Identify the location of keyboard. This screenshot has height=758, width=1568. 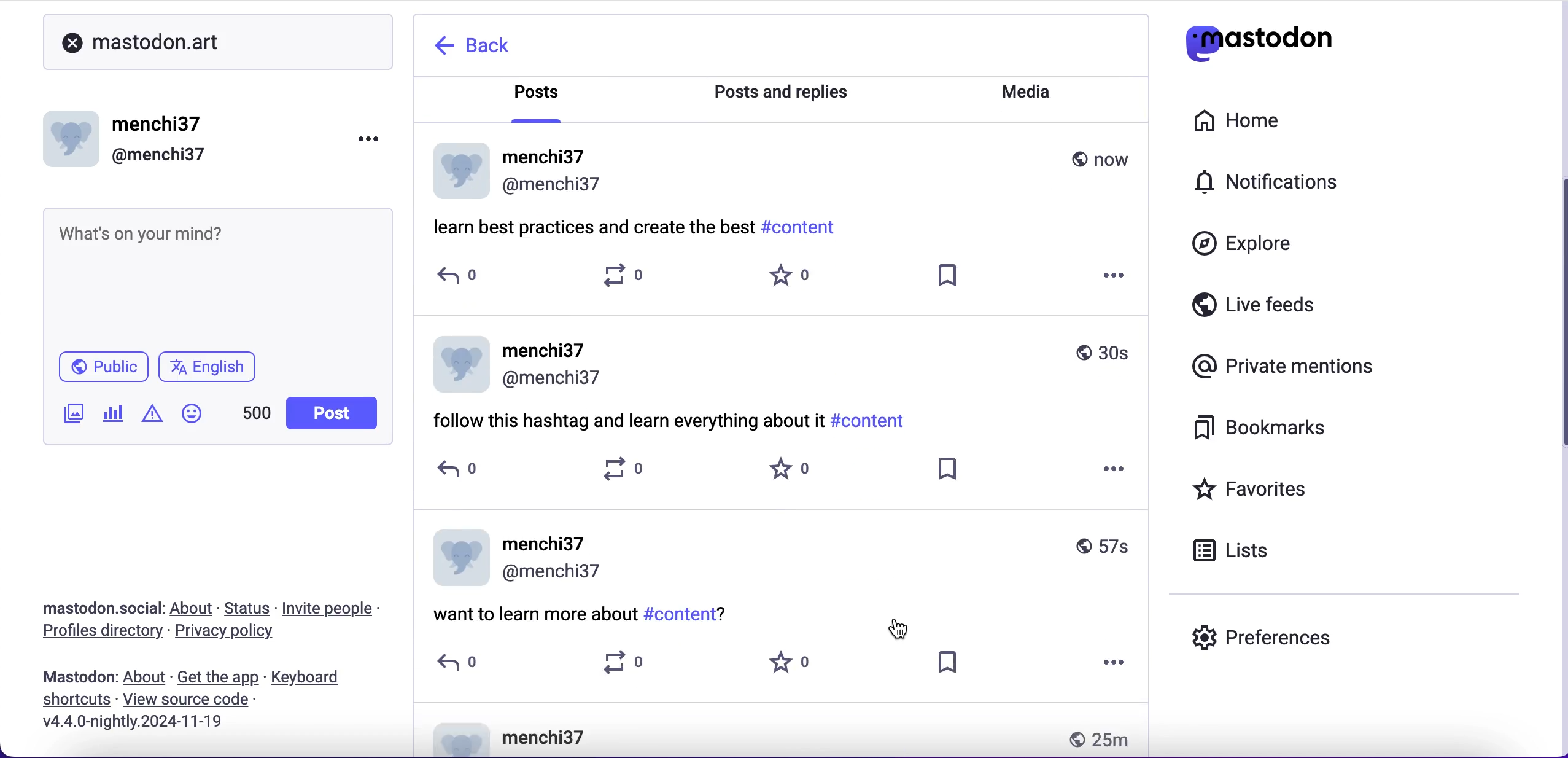
(309, 678).